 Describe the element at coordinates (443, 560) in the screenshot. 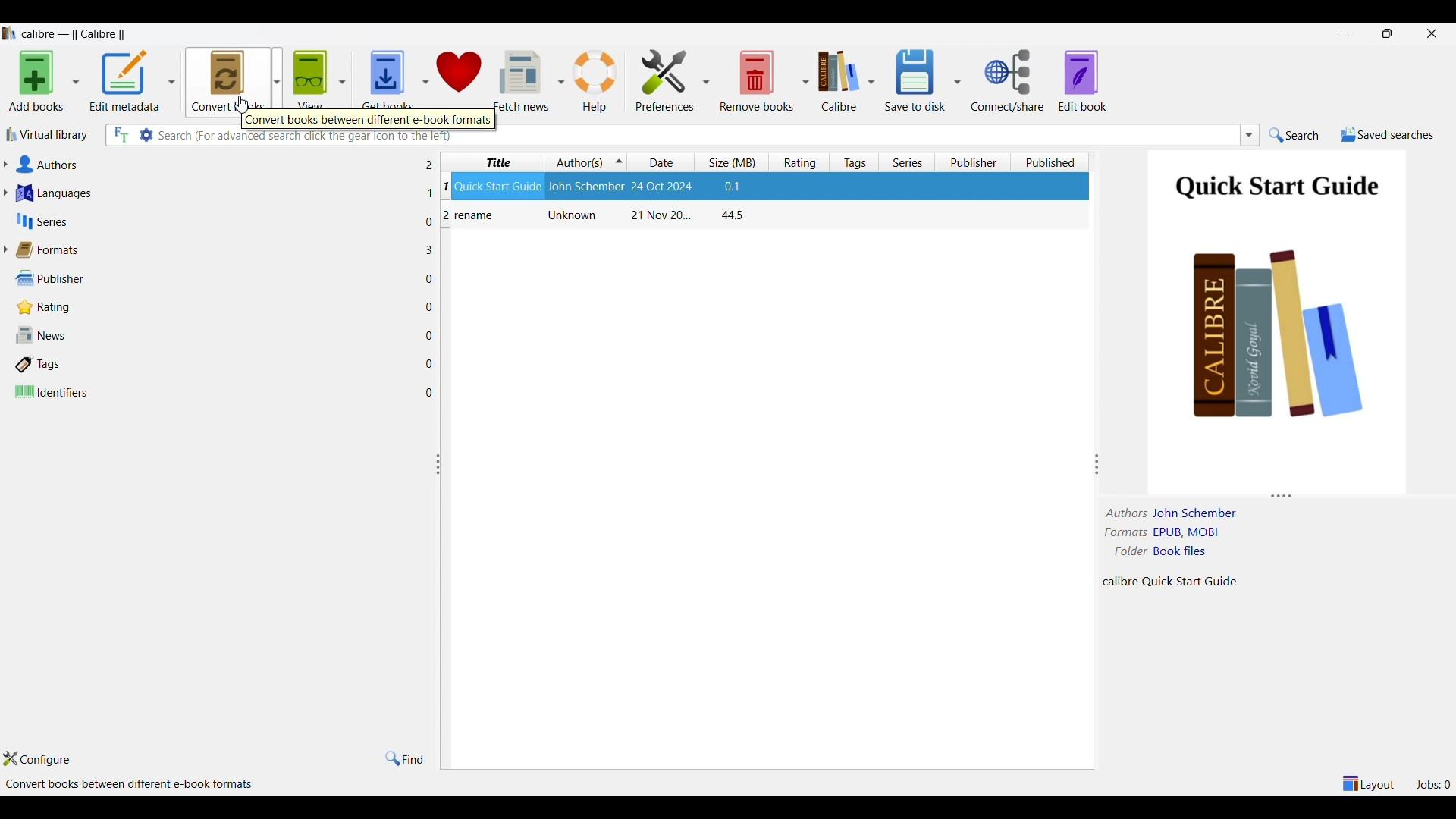

I see `Change width of panels attached to this line` at that location.